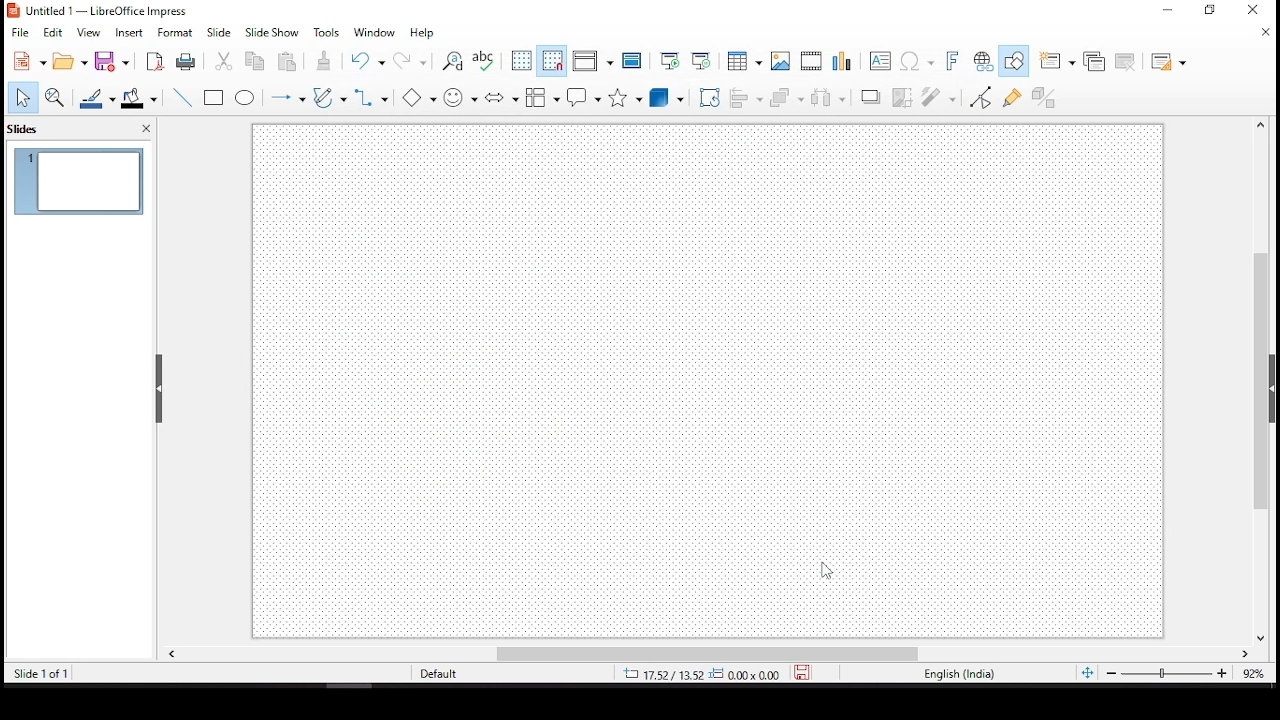  What do you see at coordinates (326, 94) in the screenshot?
I see `curves and polygons` at bounding box center [326, 94].